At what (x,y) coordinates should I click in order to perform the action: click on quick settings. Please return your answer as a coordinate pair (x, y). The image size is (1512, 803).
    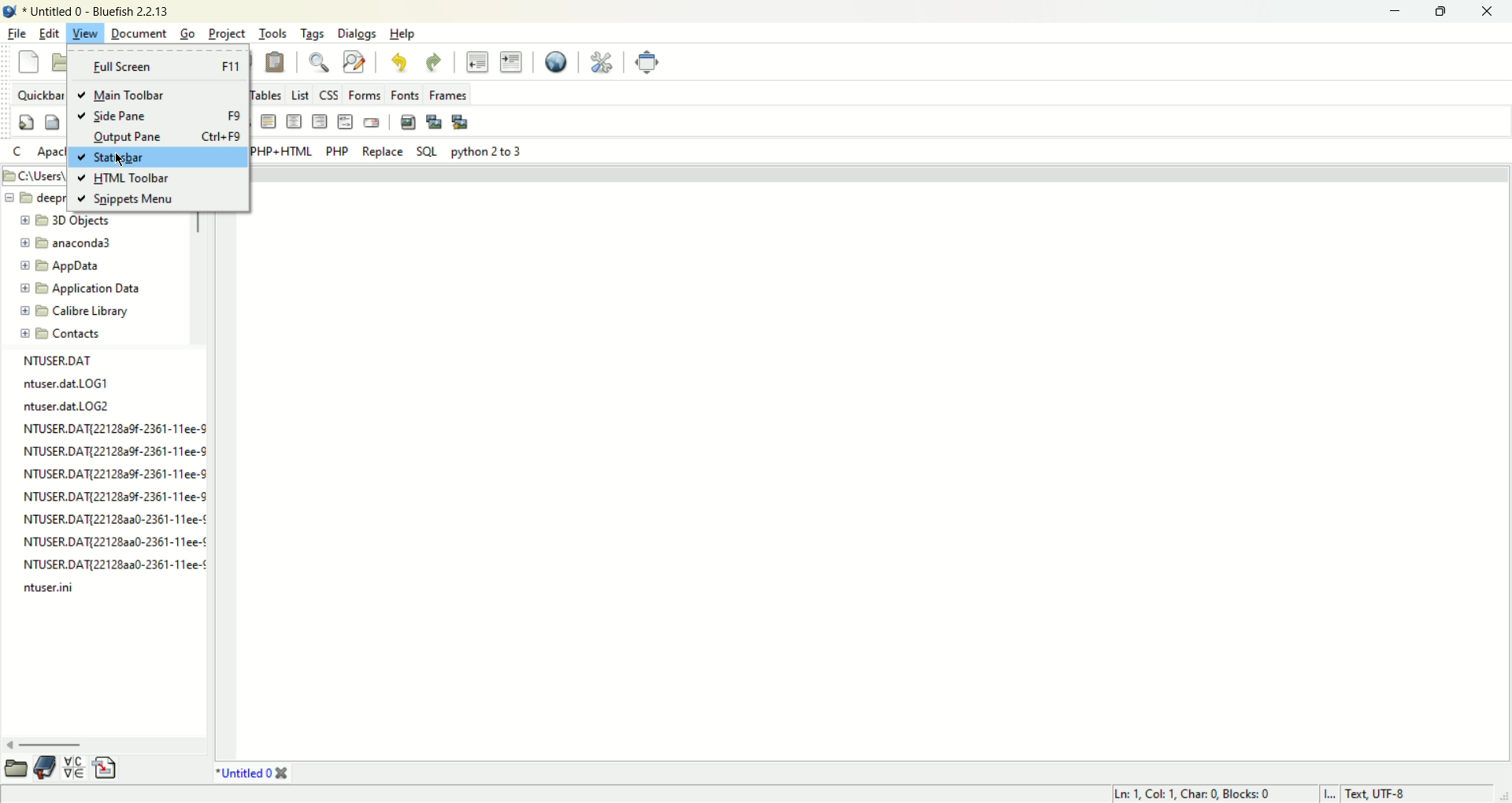
    Looking at the image, I should click on (19, 152).